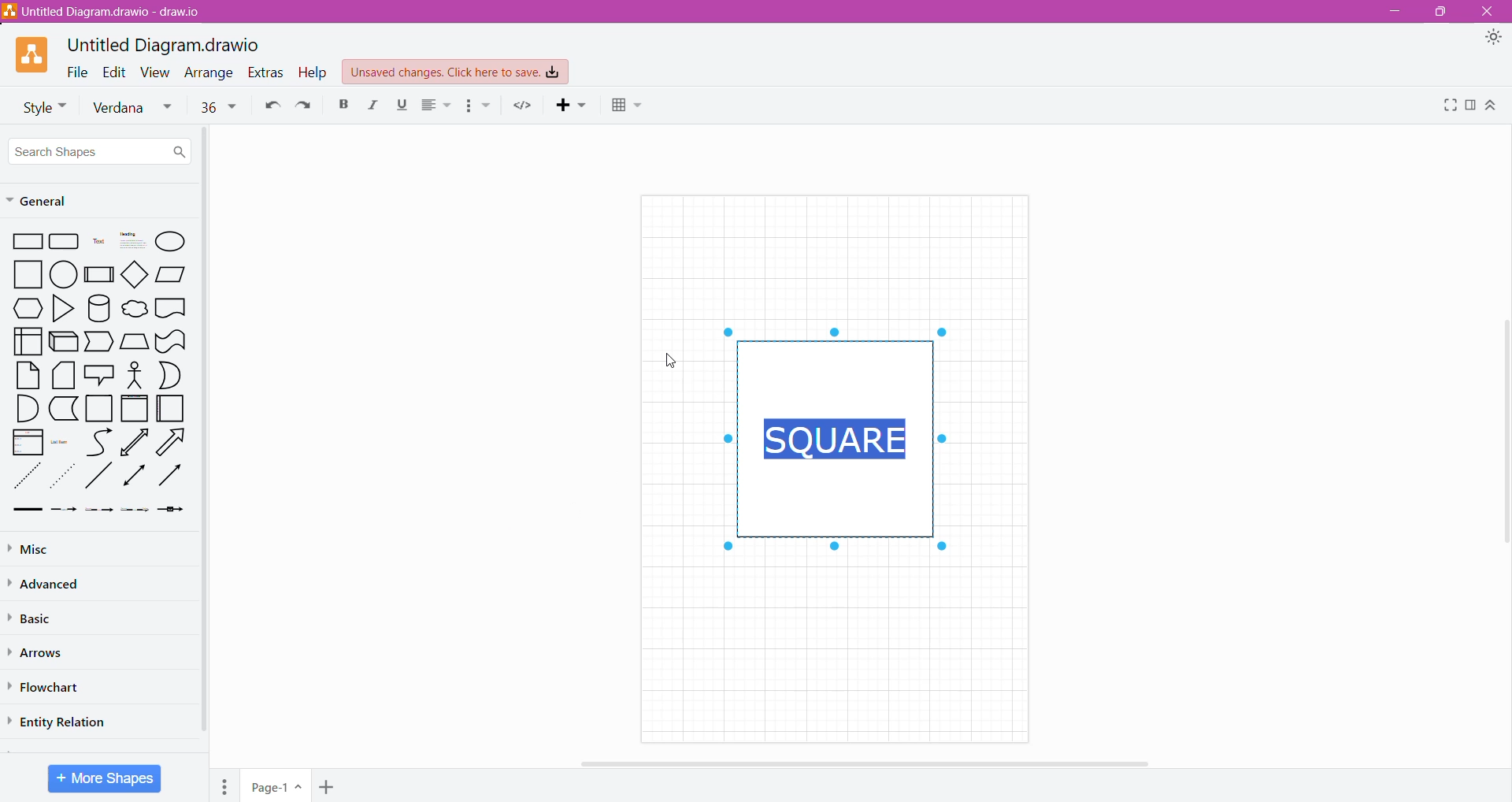  What do you see at coordinates (170, 476) in the screenshot?
I see `Rightward Thick Arrow ` at bounding box center [170, 476].